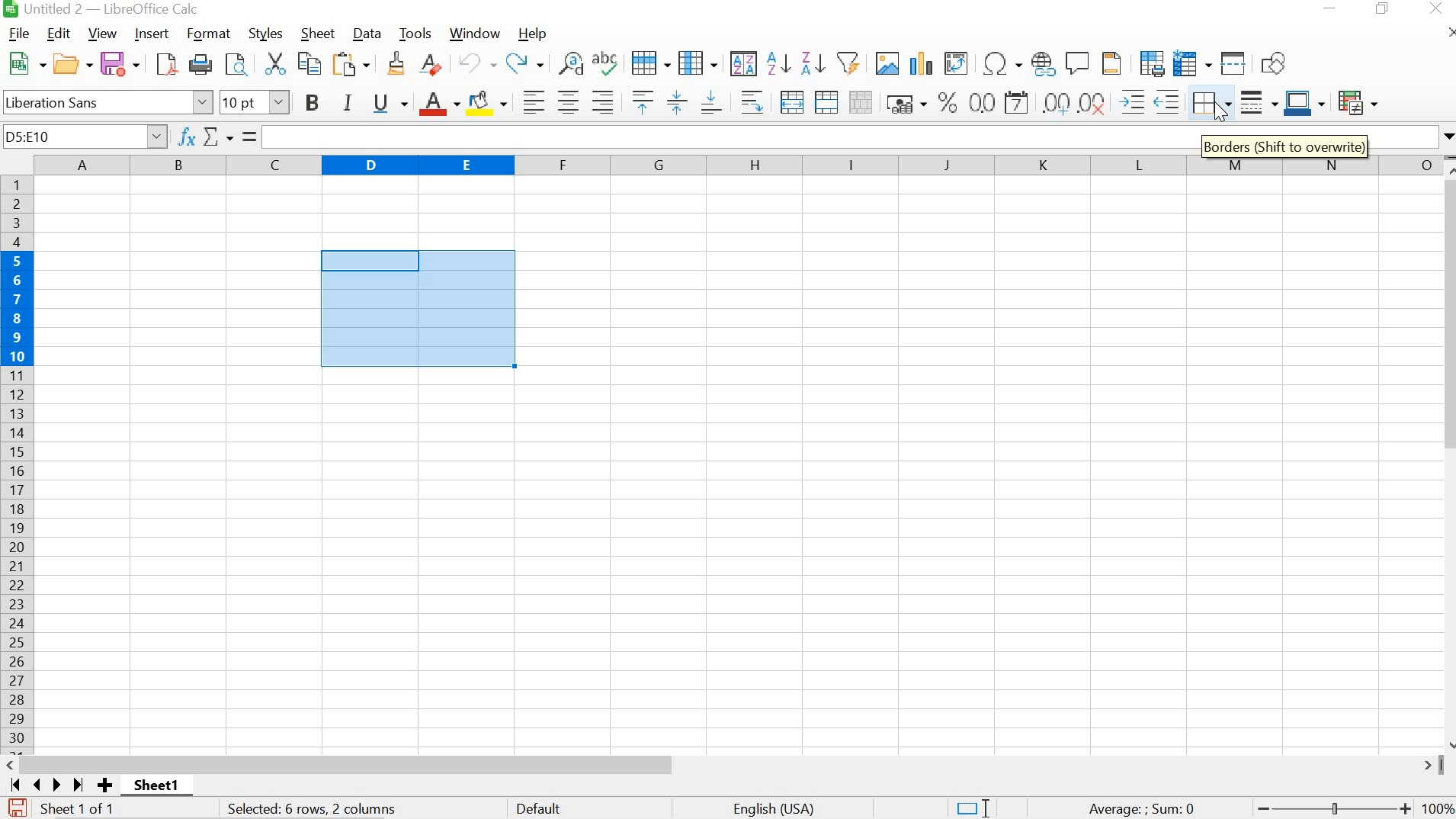 Image resolution: width=1456 pixels, height=819 pixels. Describe the element at coordinates (396, 64) in the screenshot. I see `clone formatting` at that location.